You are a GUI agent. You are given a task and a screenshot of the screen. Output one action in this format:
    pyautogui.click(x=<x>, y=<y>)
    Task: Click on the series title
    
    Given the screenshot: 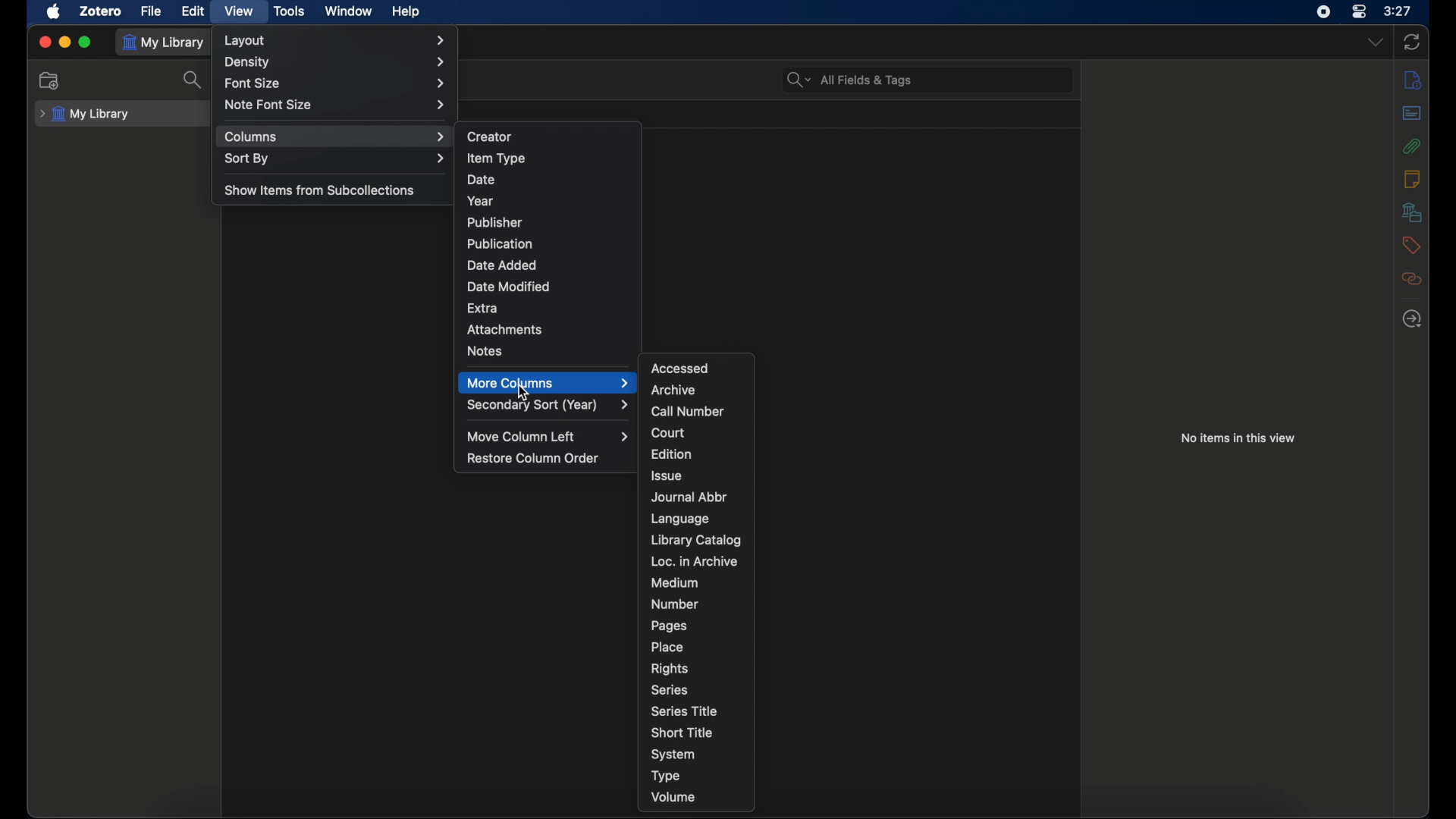 What is the action you would take?
    pyautogui.click(x=686, y=711)
    